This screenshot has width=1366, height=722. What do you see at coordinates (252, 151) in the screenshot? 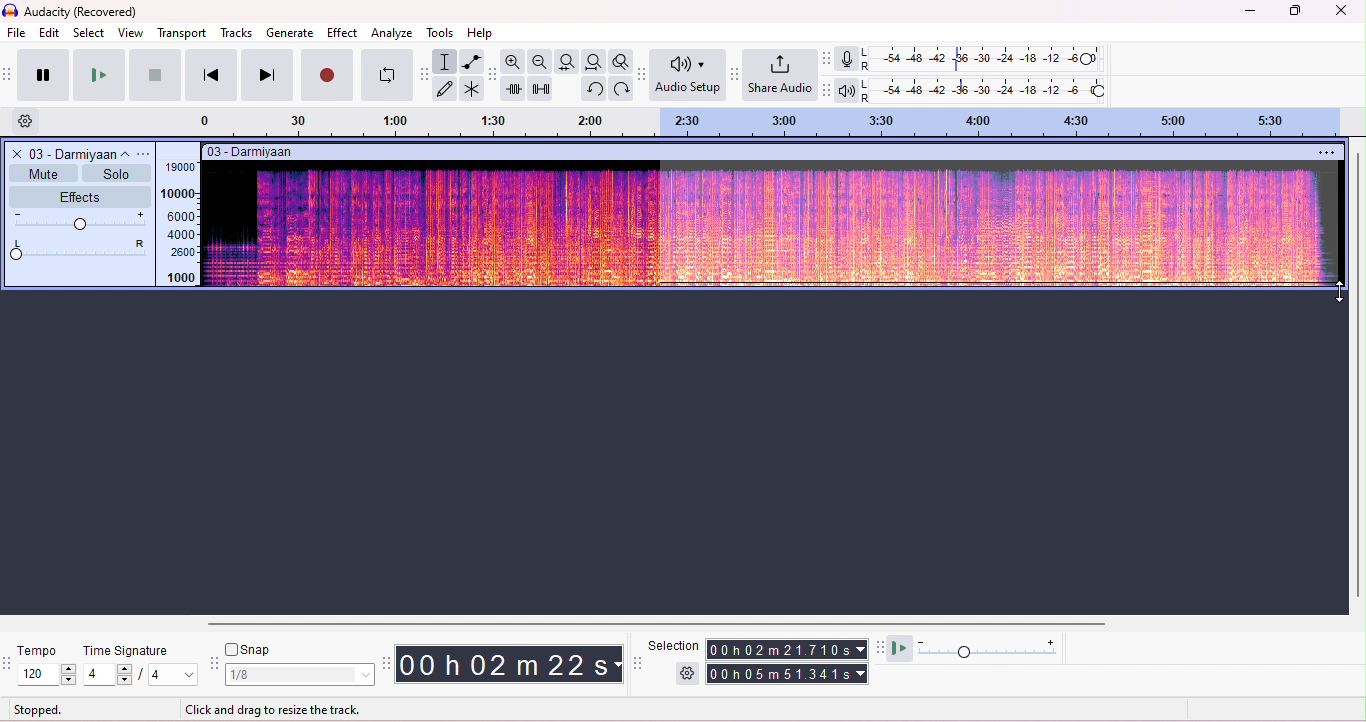
I see `track title` at bounding box center [252, 151].